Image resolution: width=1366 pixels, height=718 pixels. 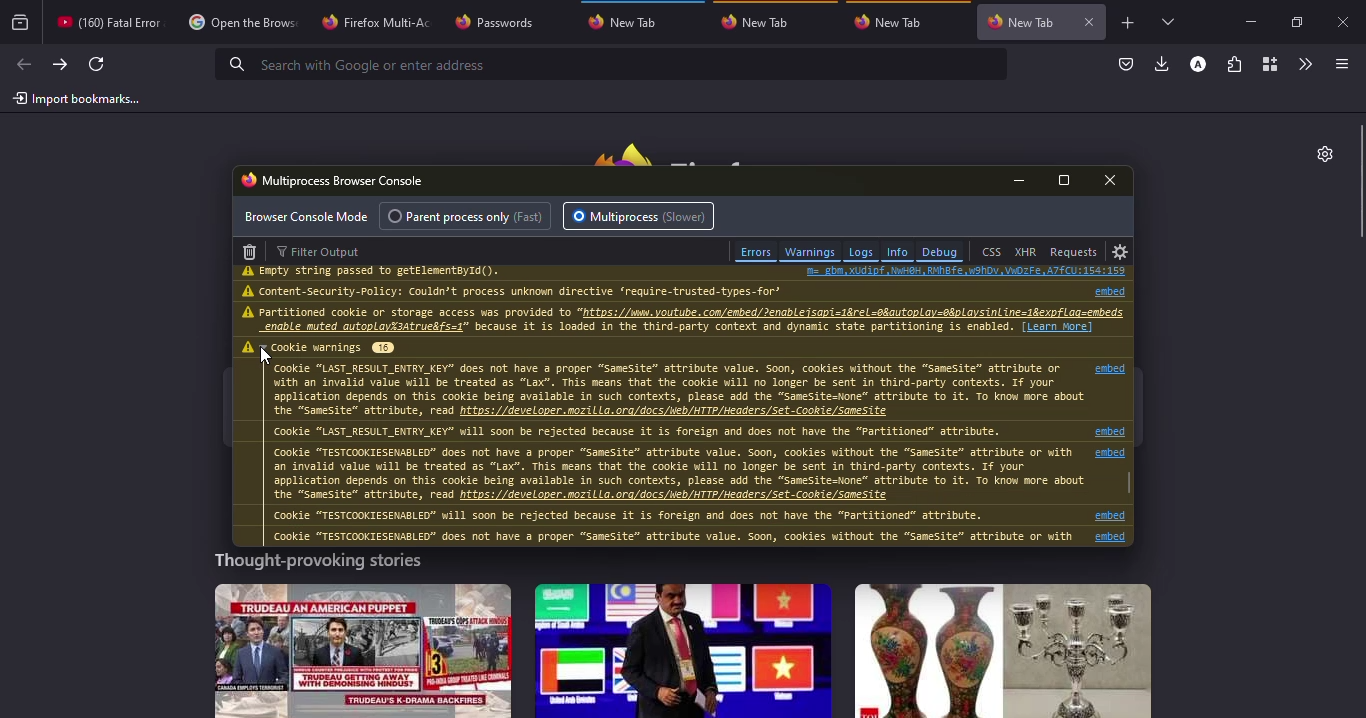 What do you see at coordinates (755, 251) in the screenshot?
I see `errors` at bounding box center [755, 251].